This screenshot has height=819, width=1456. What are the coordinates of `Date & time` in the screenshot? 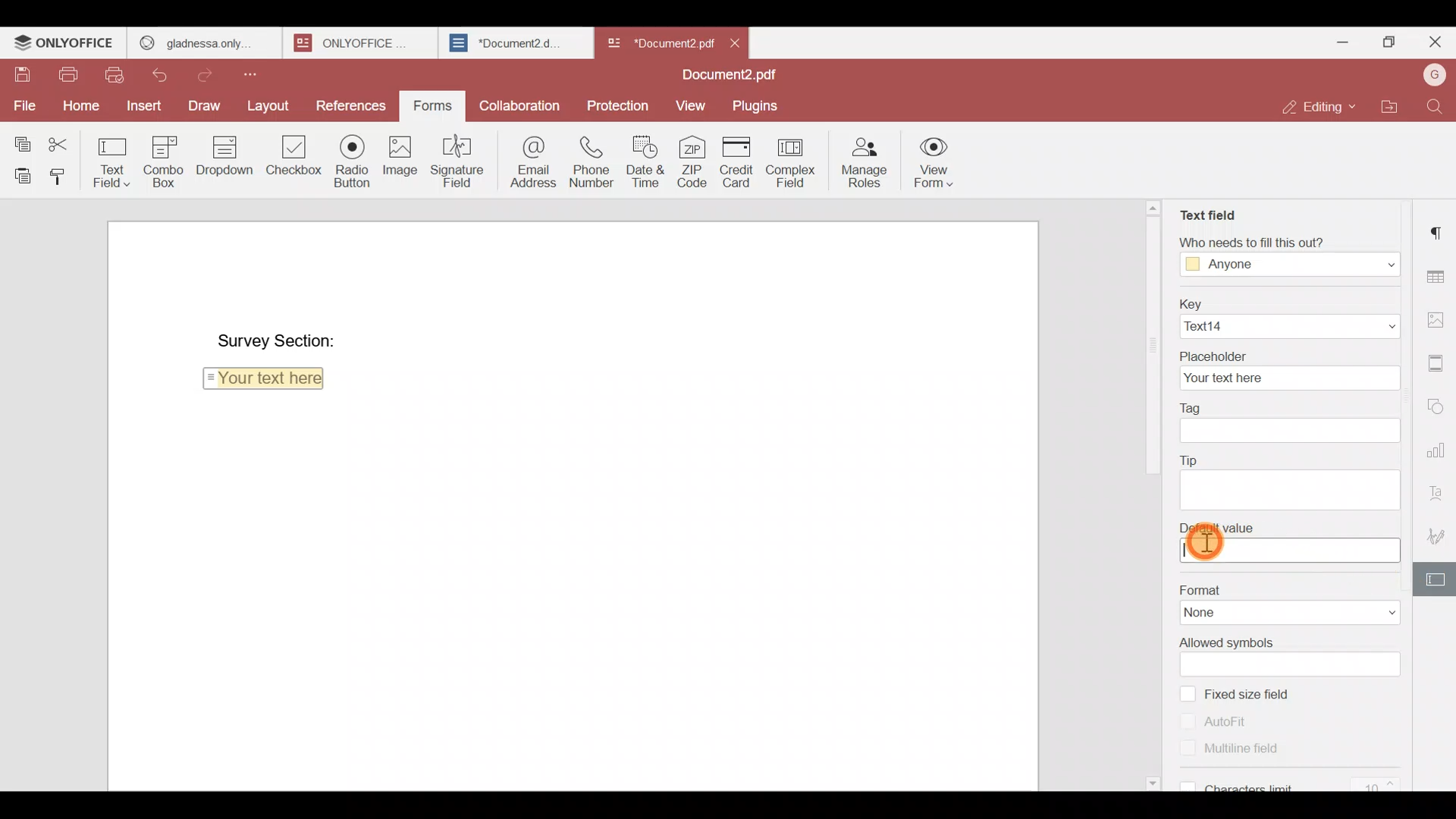 It's located at (645, 161).